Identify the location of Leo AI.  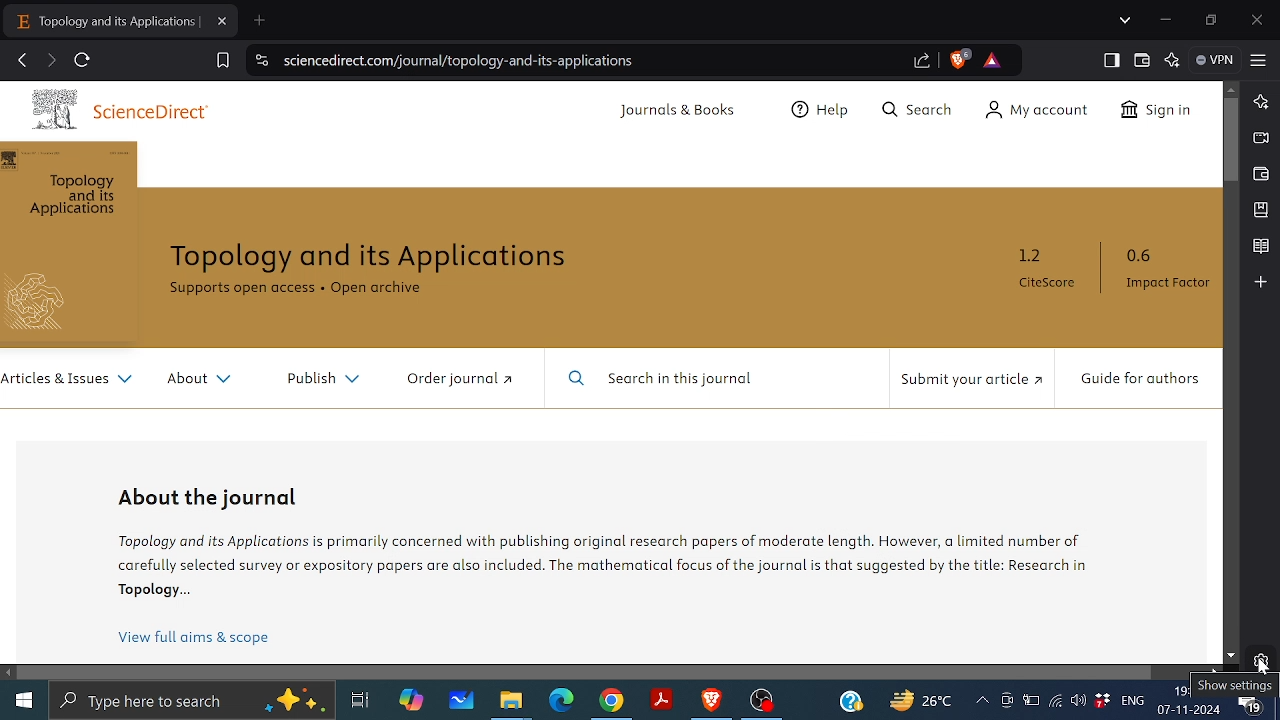
(1172, 59).